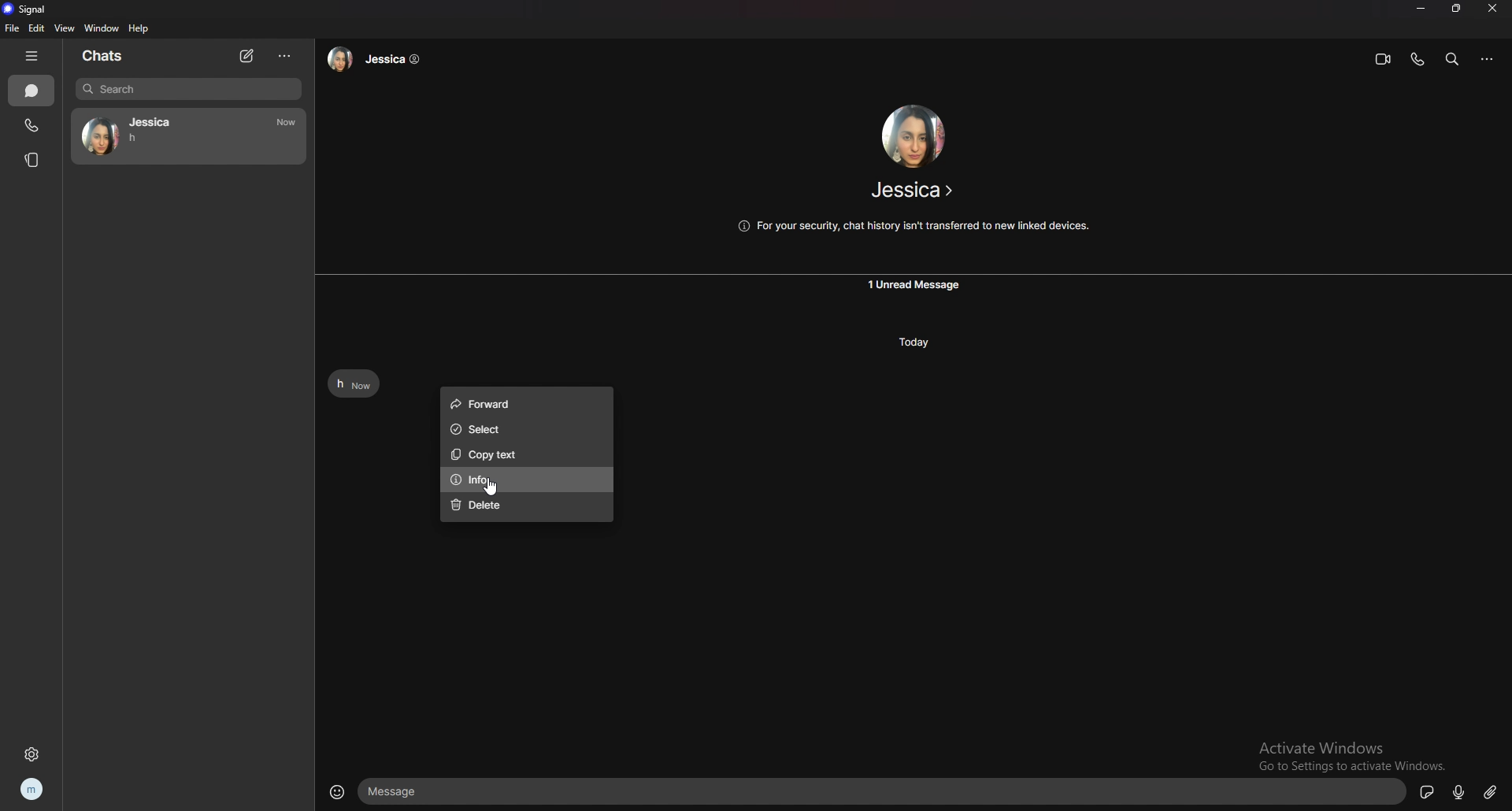 Image resolution: width=1512 pixels, height=811 pixels. Describe the element at coordinates (140, 28) in the screenshot. I see `help` at that location.